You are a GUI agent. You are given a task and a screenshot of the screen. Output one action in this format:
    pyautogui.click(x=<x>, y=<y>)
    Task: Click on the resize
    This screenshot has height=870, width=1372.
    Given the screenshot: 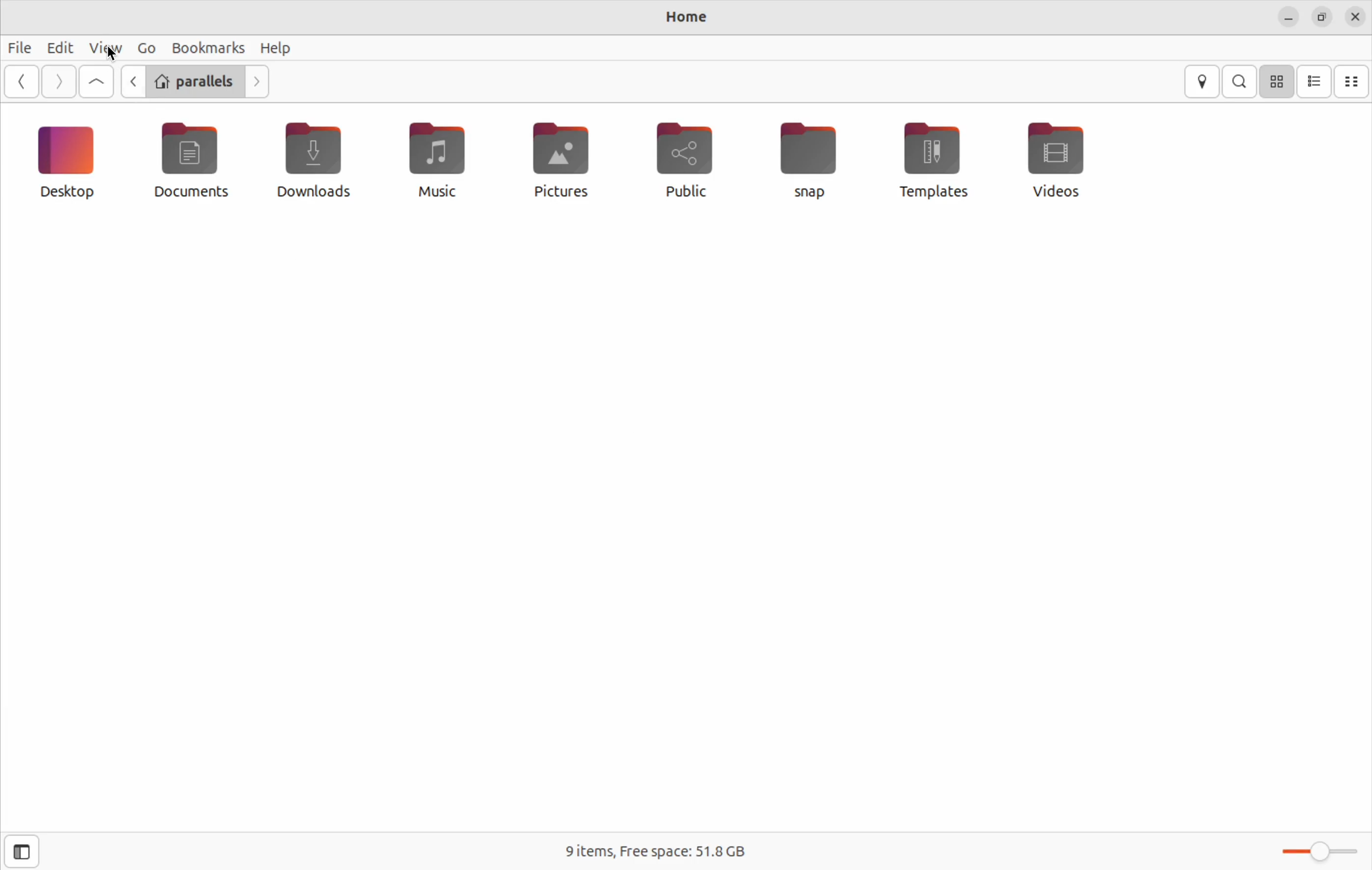 What is the action you would take?
    pyautogui.click(x=1320, y=18)
    